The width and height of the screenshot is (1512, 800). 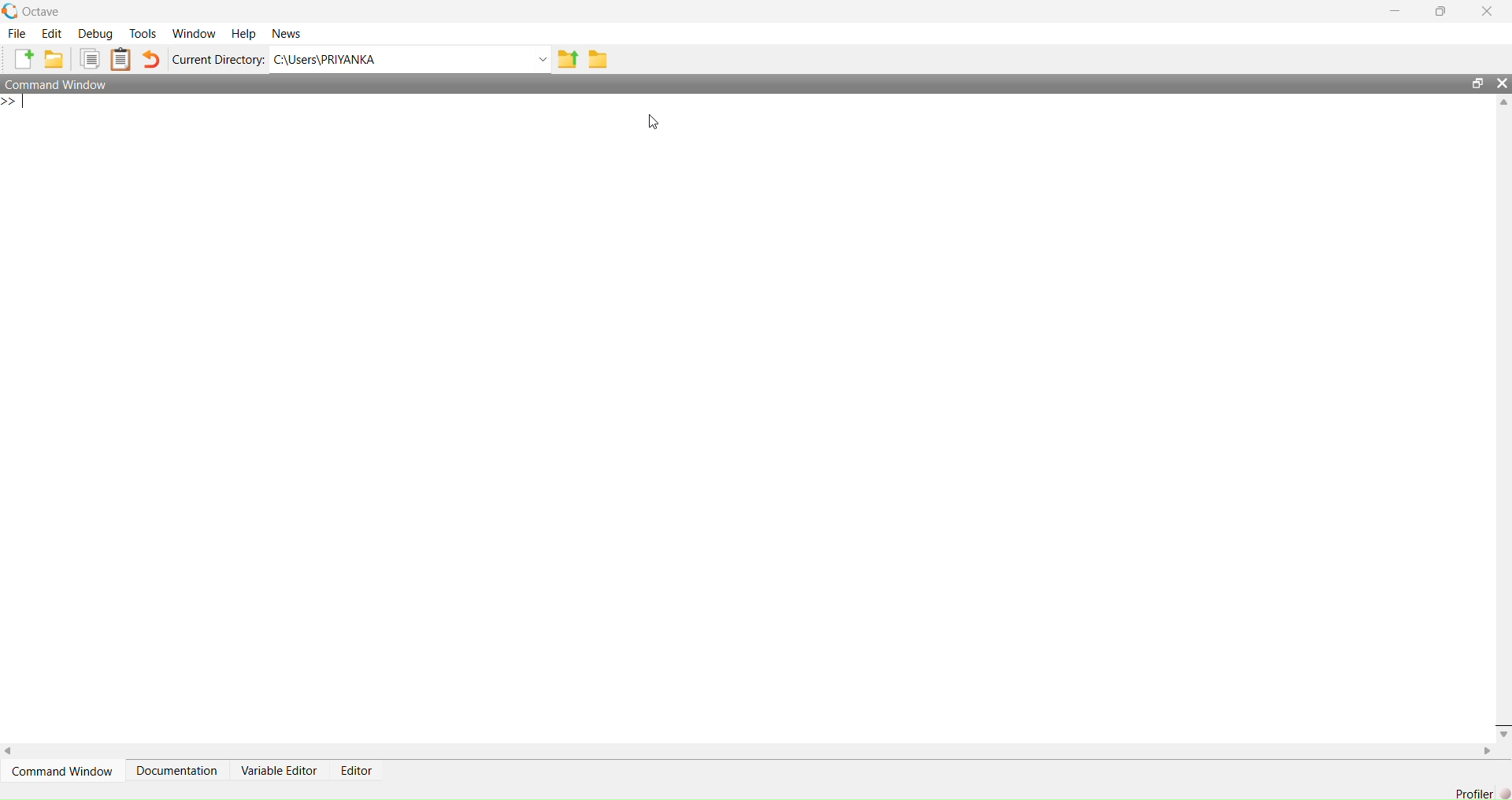 I want to click on Scroll right, so click(x=1485, y=751).